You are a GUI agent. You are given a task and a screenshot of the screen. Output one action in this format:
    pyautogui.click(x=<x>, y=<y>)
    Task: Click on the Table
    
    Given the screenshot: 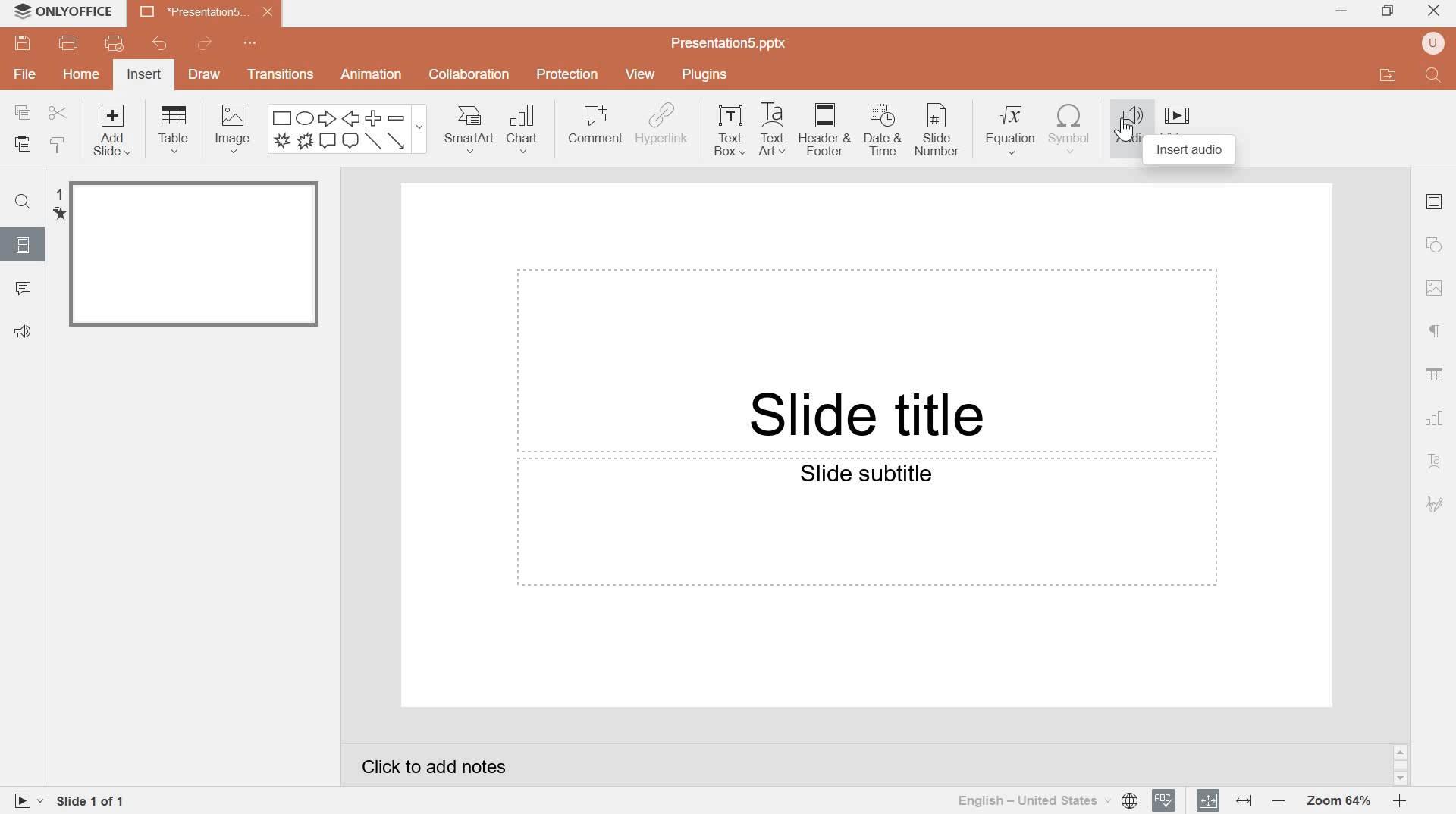 What is the action you would take?
    pyautogui.click(x=174, y=128)
    